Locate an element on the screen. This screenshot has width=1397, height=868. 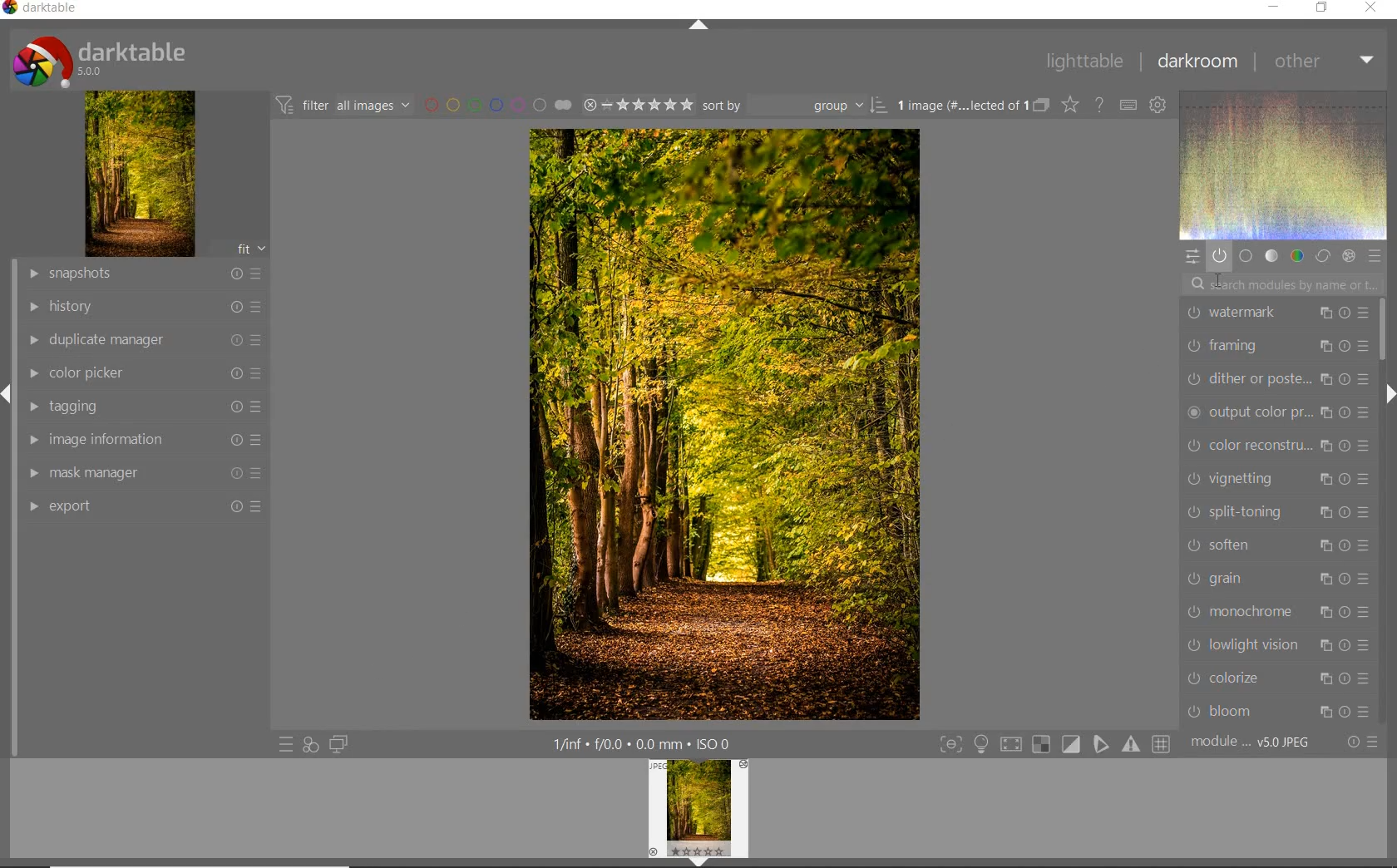
color picker is located at coordinates (144, 374).